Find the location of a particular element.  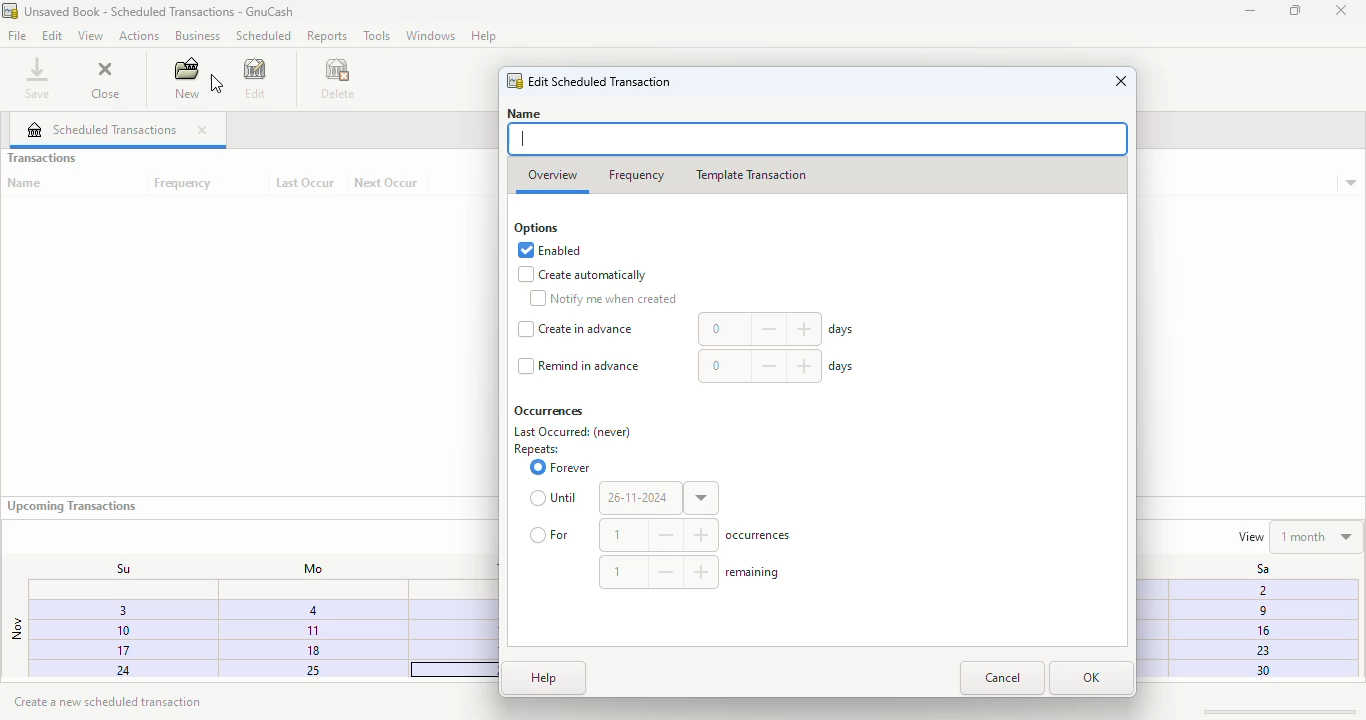

transaction details is located at coordinates (1351, 184).